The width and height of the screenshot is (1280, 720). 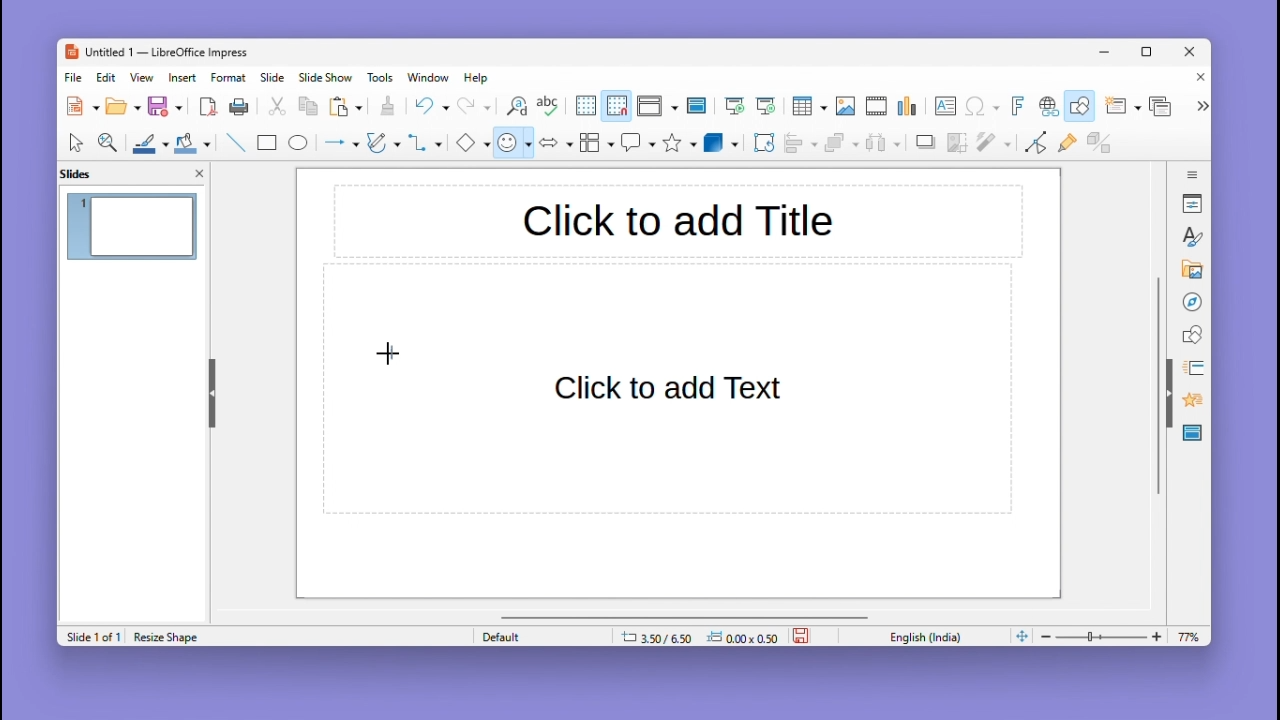 What do you see at coordinates (145, 77) in the screenshot?
I see `View` at bounding box center [145, 77].